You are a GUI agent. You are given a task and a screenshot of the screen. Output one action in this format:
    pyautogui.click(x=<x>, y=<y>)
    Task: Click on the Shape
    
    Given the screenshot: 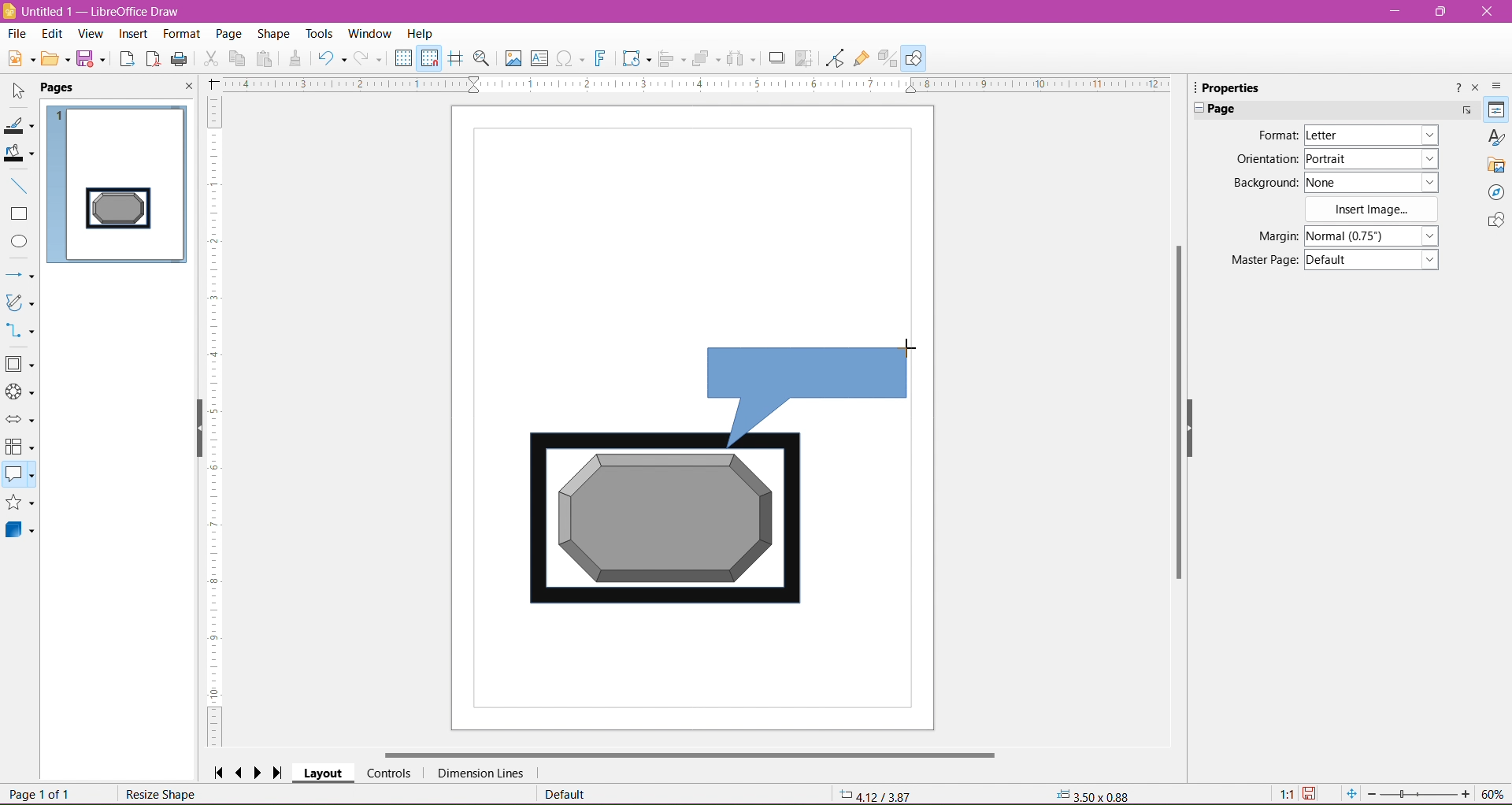 What is the action you would take?
    pyautogui.click(x=273, y=33)
    